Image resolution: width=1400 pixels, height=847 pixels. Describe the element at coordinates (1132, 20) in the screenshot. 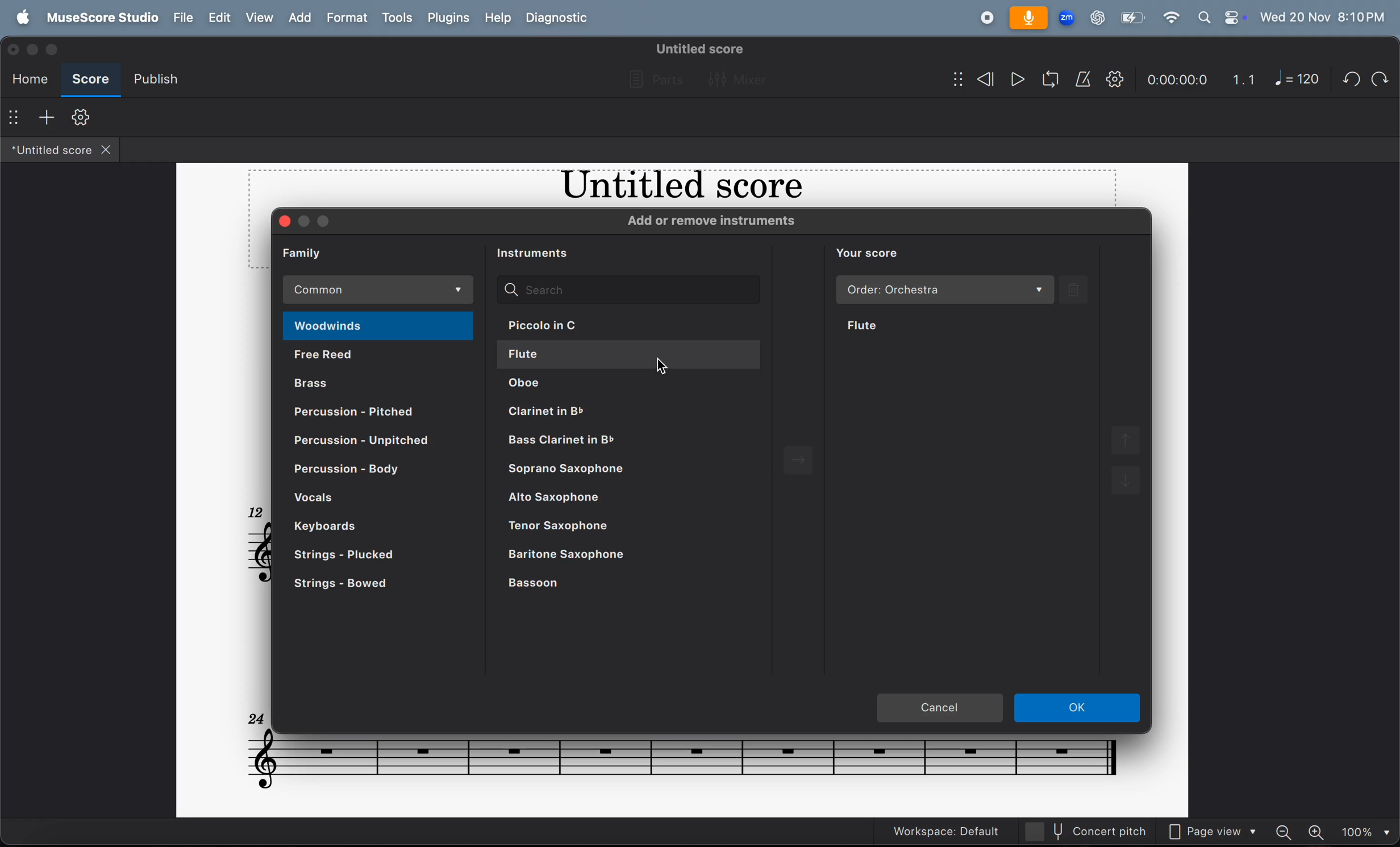

I see `battery` at that location.